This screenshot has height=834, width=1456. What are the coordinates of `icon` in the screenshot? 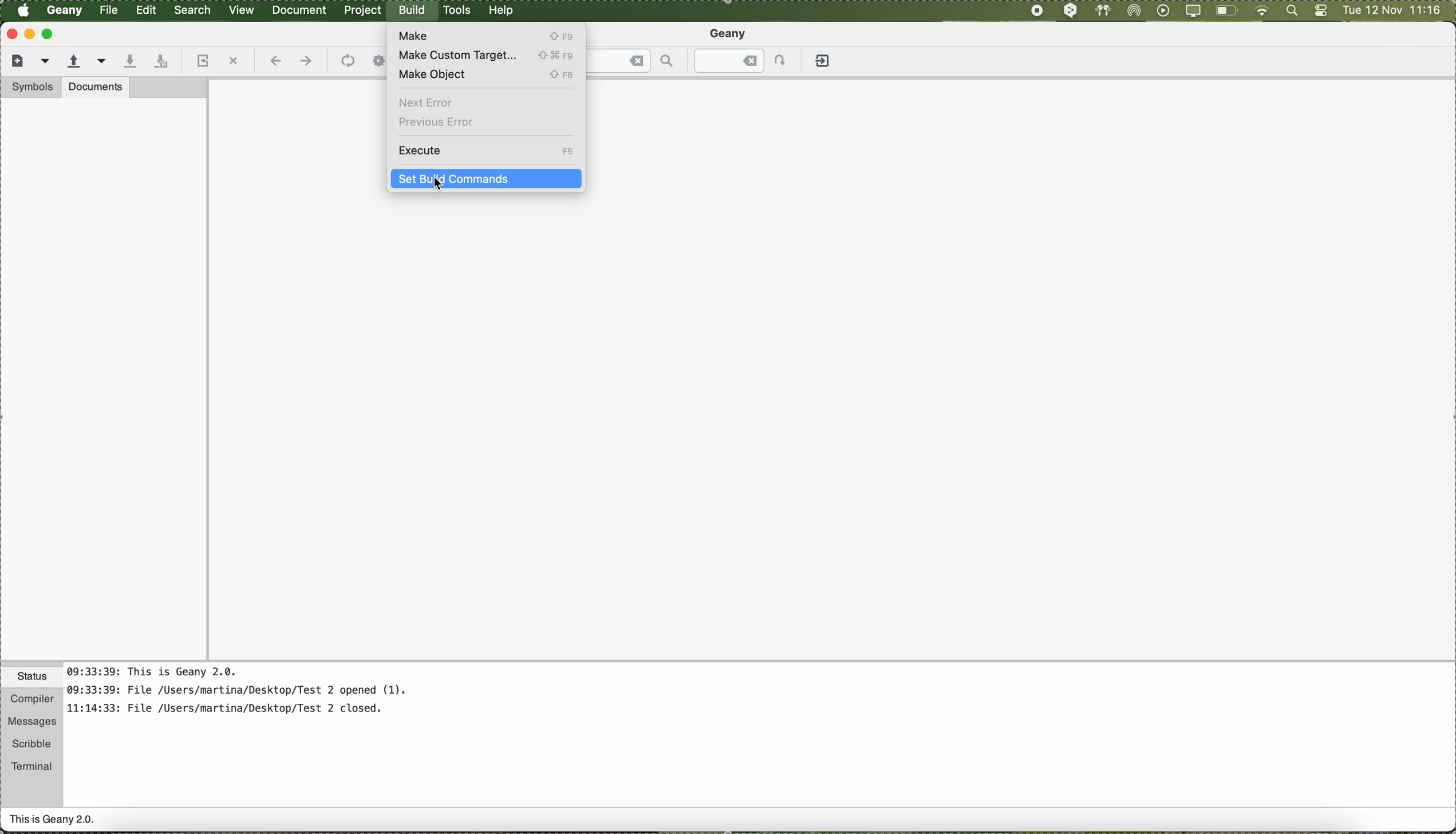 It's located at (379, 61).